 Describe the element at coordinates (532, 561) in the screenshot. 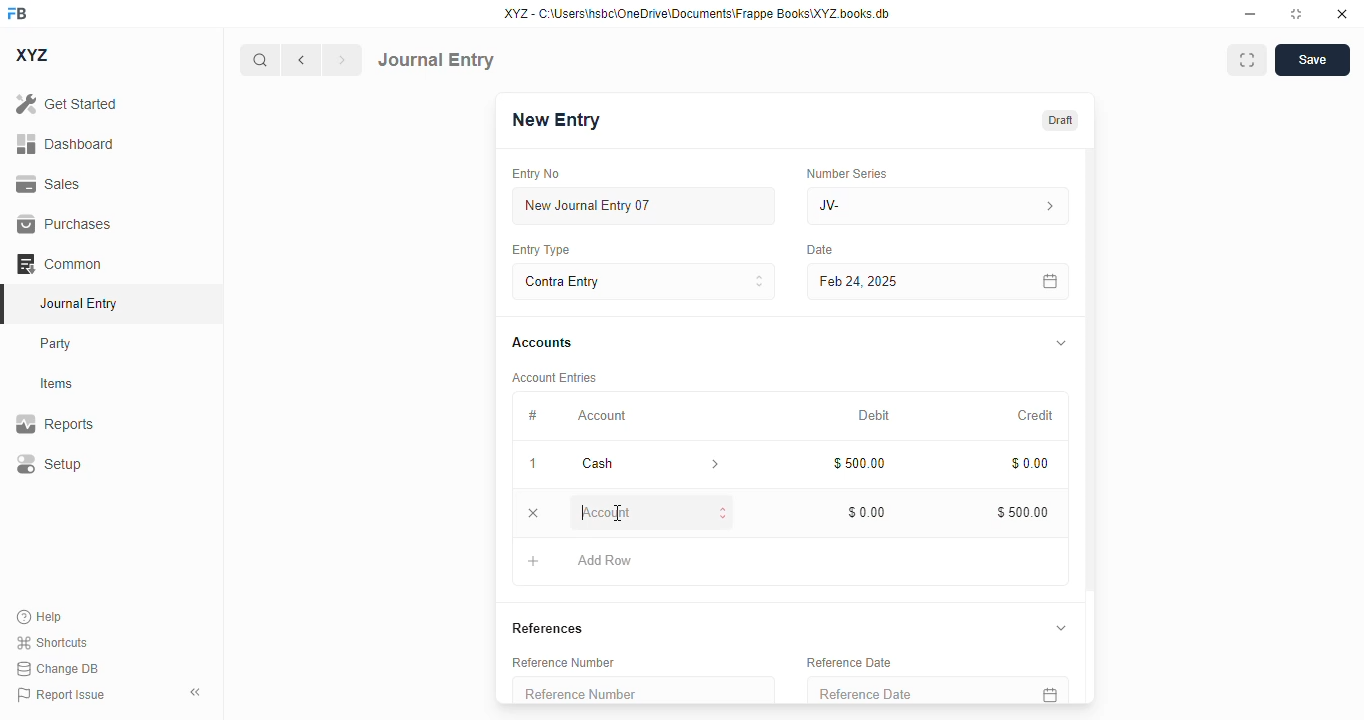

I see `add button` at that location.